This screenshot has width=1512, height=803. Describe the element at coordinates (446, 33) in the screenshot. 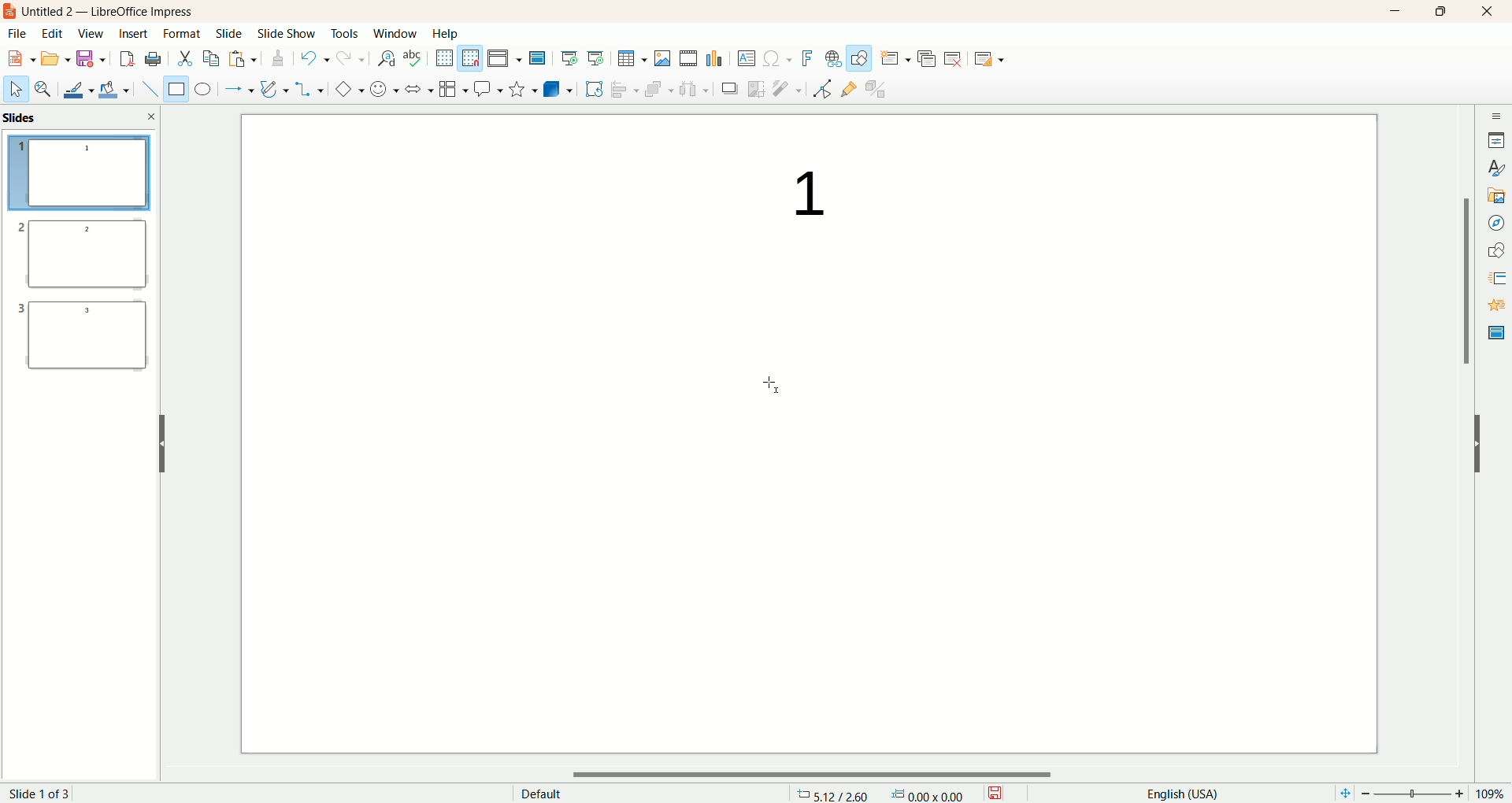

I see `help` at that location.